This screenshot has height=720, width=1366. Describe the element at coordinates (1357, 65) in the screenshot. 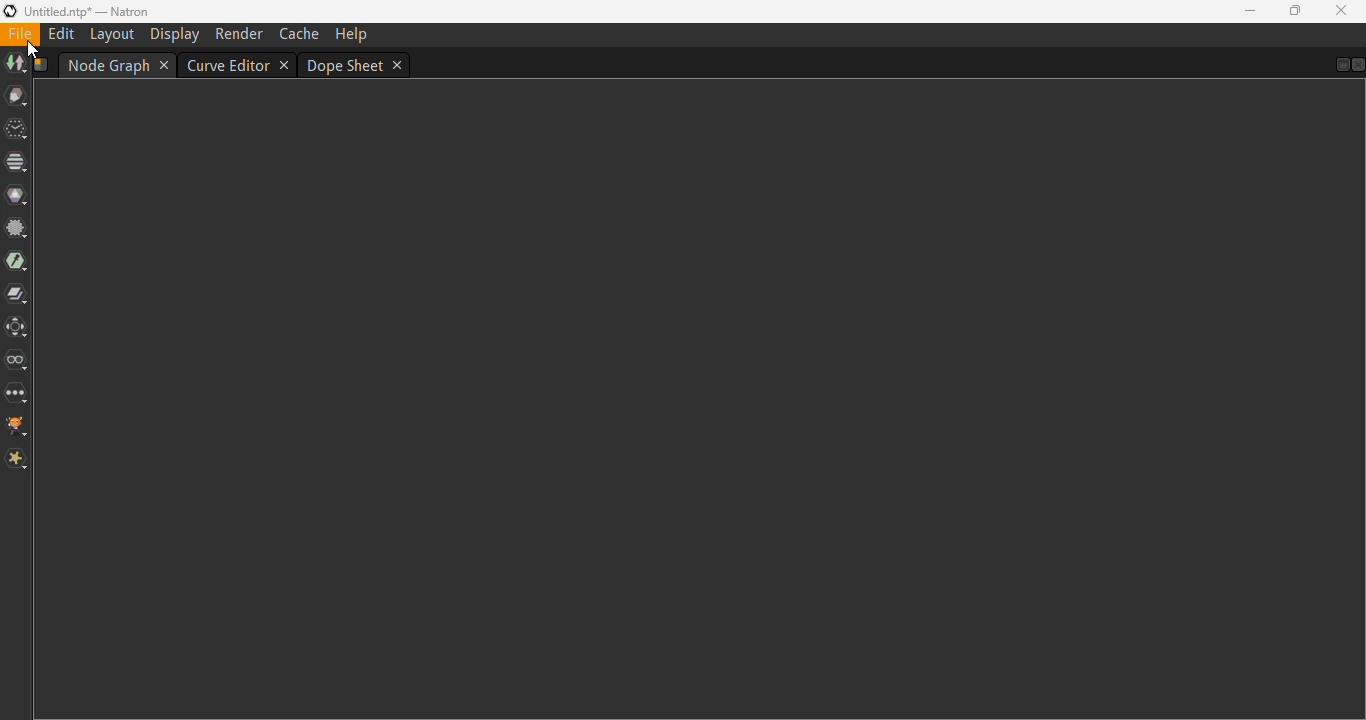

I see `close pane` at that location.